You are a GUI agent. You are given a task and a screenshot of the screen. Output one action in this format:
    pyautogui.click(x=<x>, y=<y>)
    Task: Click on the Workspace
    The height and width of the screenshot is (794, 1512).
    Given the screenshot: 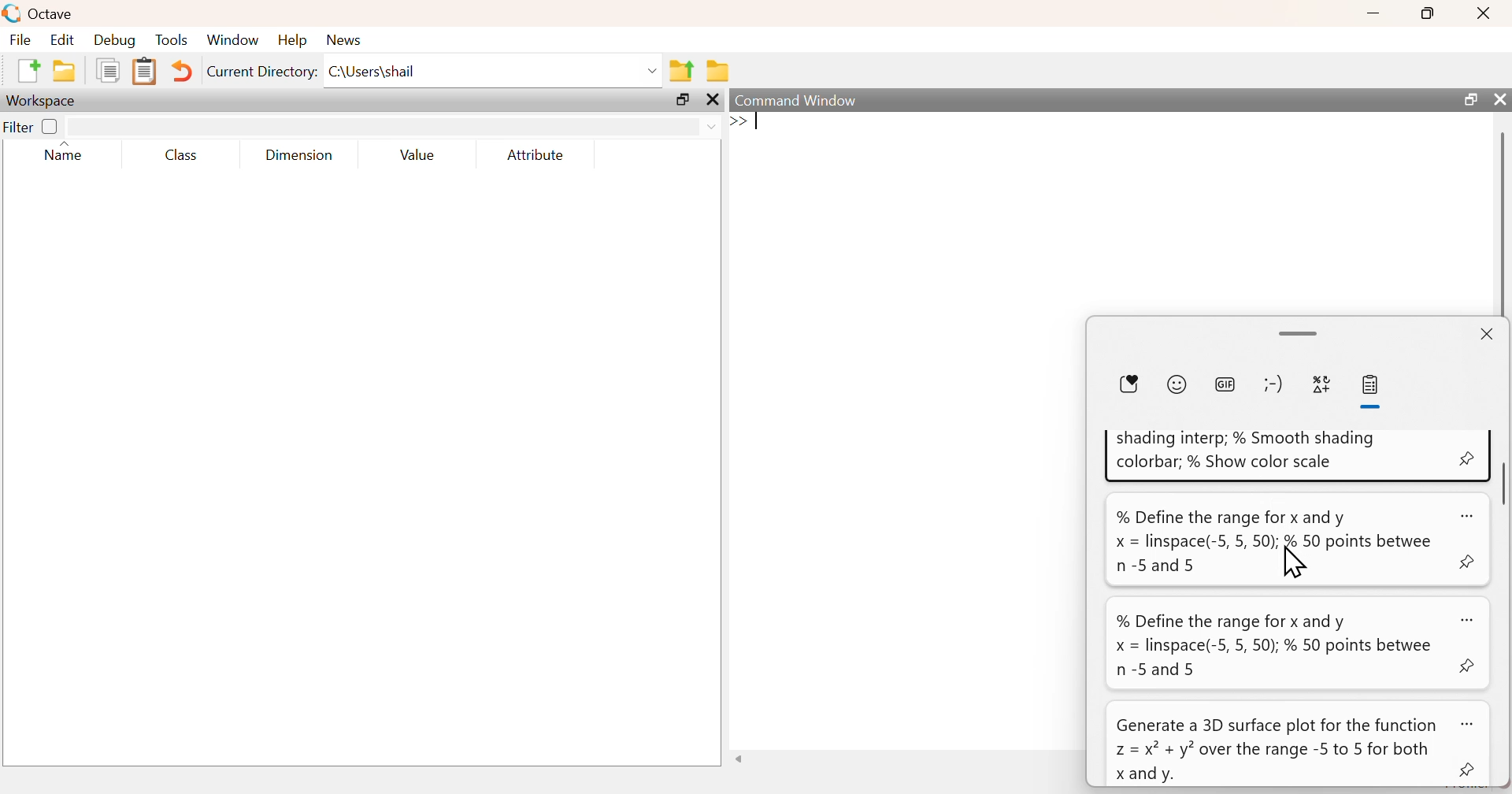 What is the action you would take?
    pyautogui.click(x=43, y=102)
    